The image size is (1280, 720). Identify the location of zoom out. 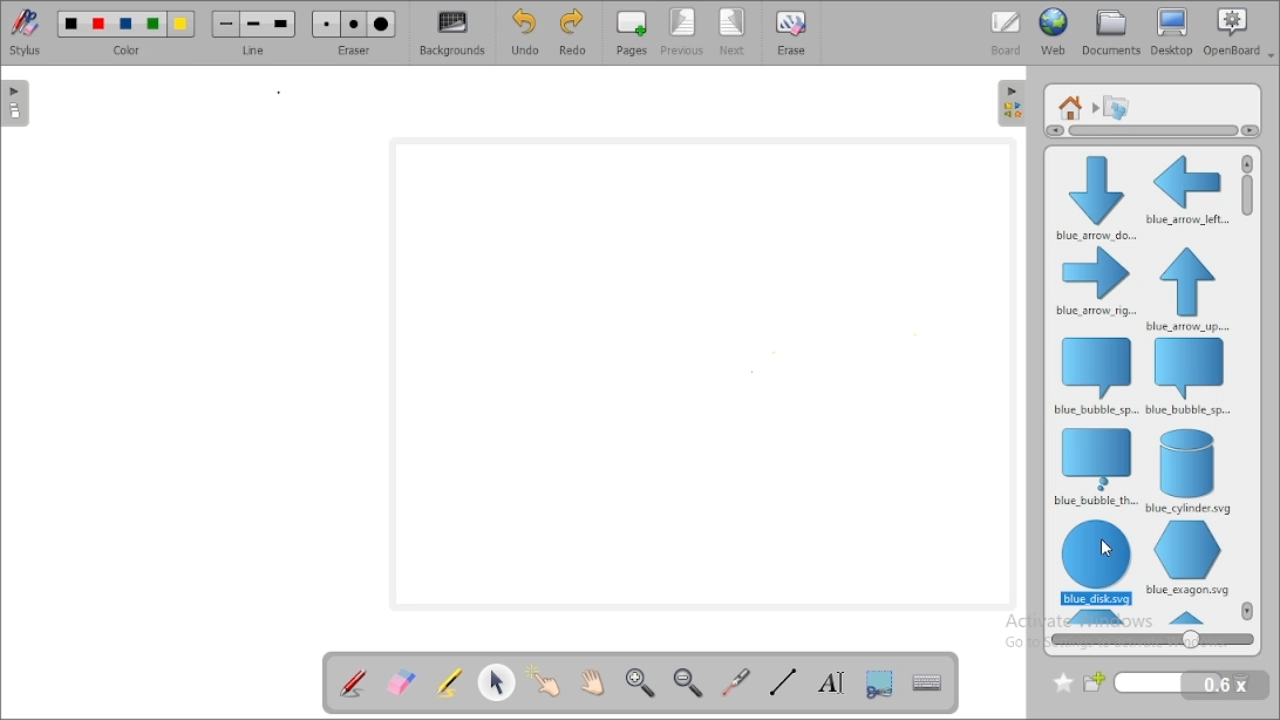
(690, 682).